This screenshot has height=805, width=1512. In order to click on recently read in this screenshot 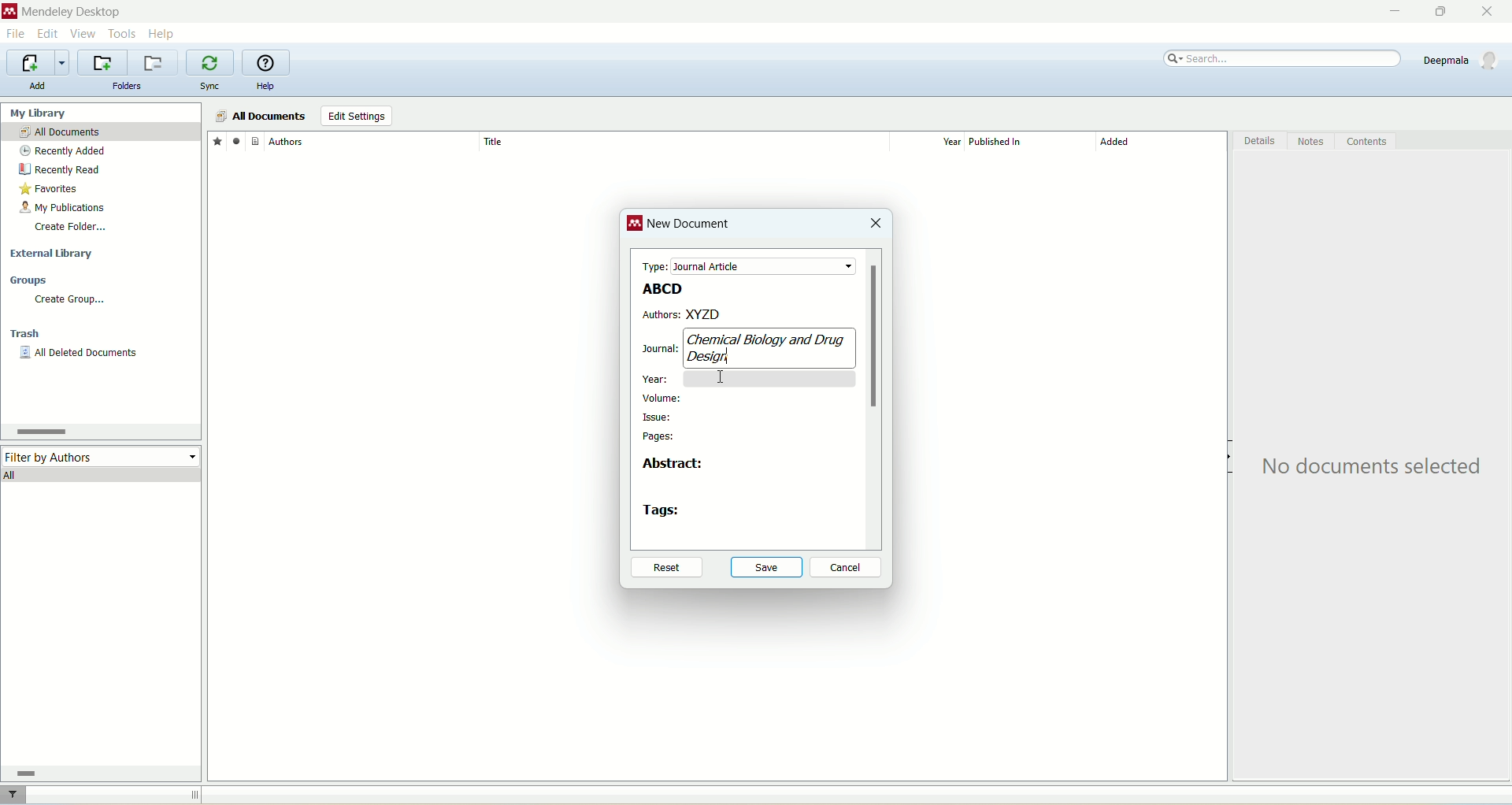, I will do `click(59, 169)`.